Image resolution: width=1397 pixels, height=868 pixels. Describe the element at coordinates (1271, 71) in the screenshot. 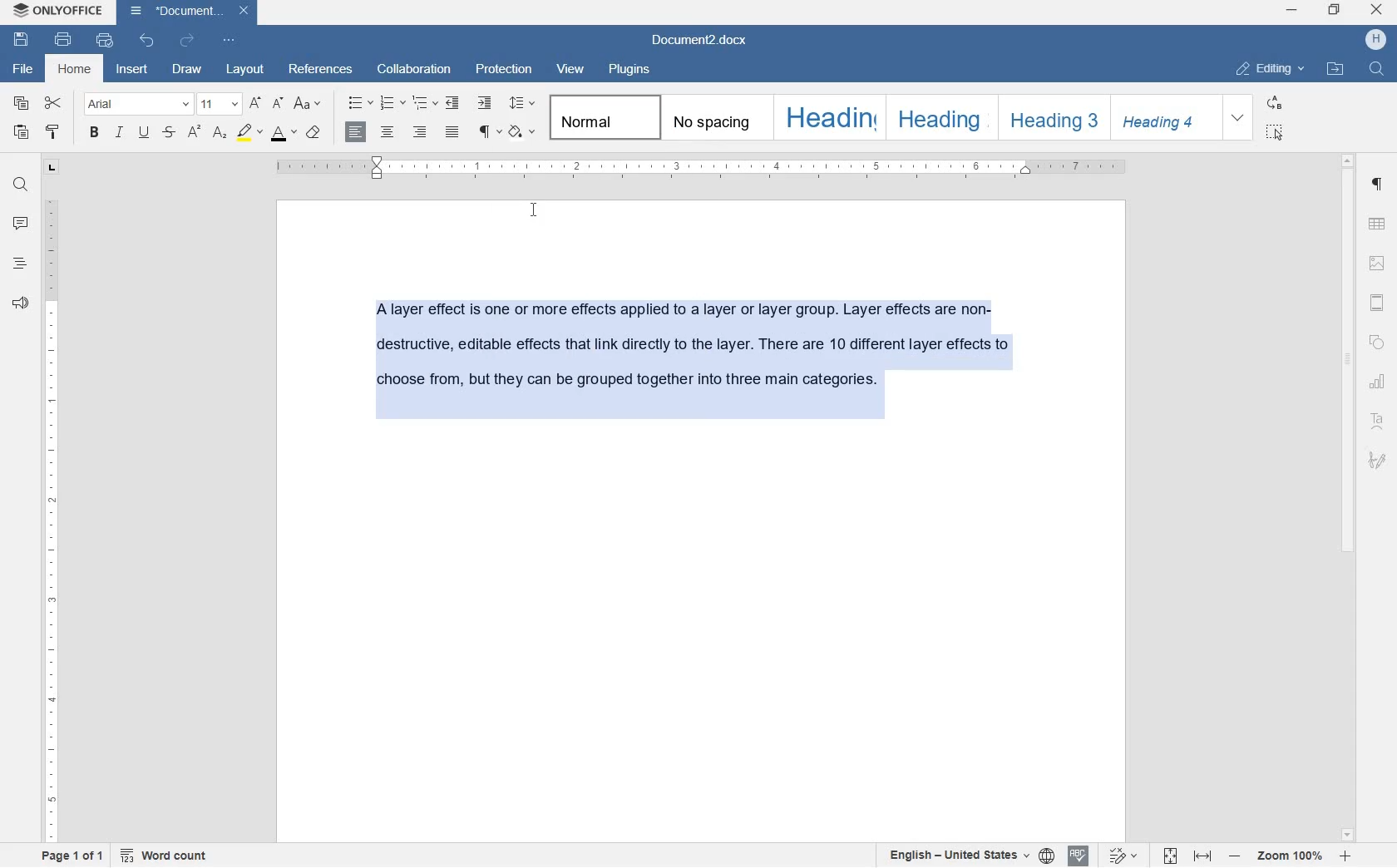

I see `editing` at that location.